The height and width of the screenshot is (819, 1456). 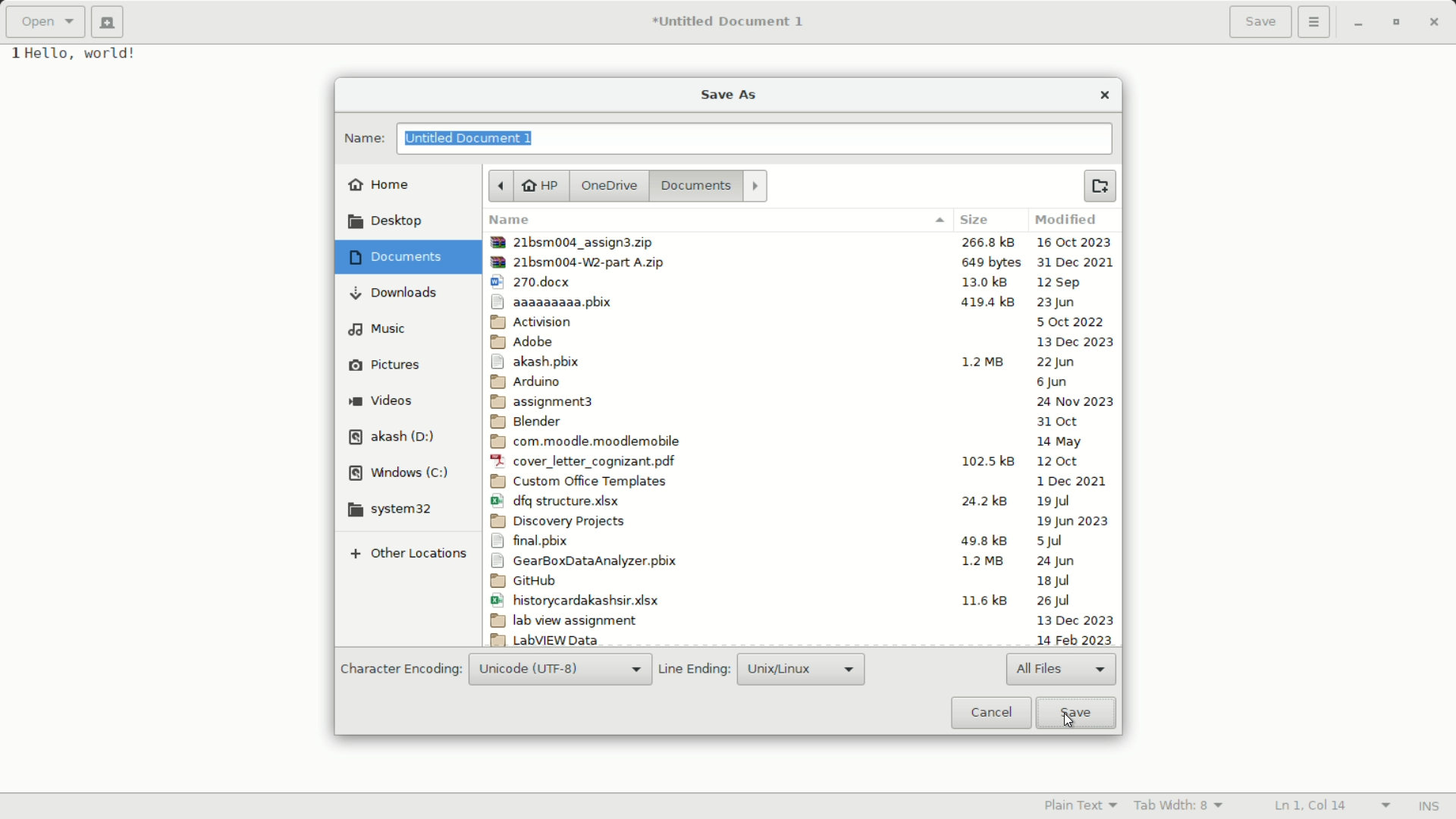 What do you see at coordinates (729, 22) in the screenshot?
I see `Untitled Document 1` at bounding box center [729, 22].